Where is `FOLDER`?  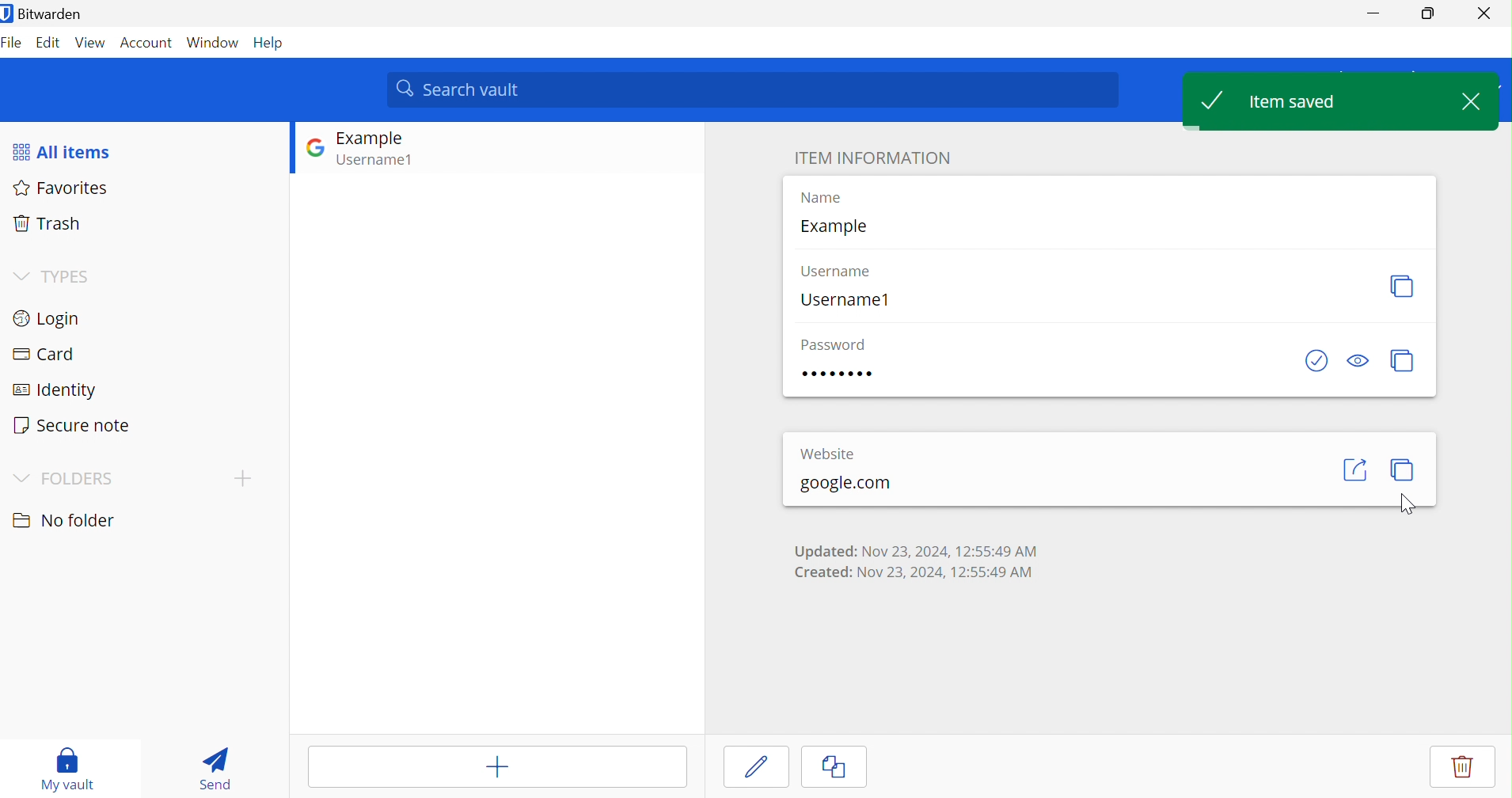 FOLDER is located at coordinates (78, 477).